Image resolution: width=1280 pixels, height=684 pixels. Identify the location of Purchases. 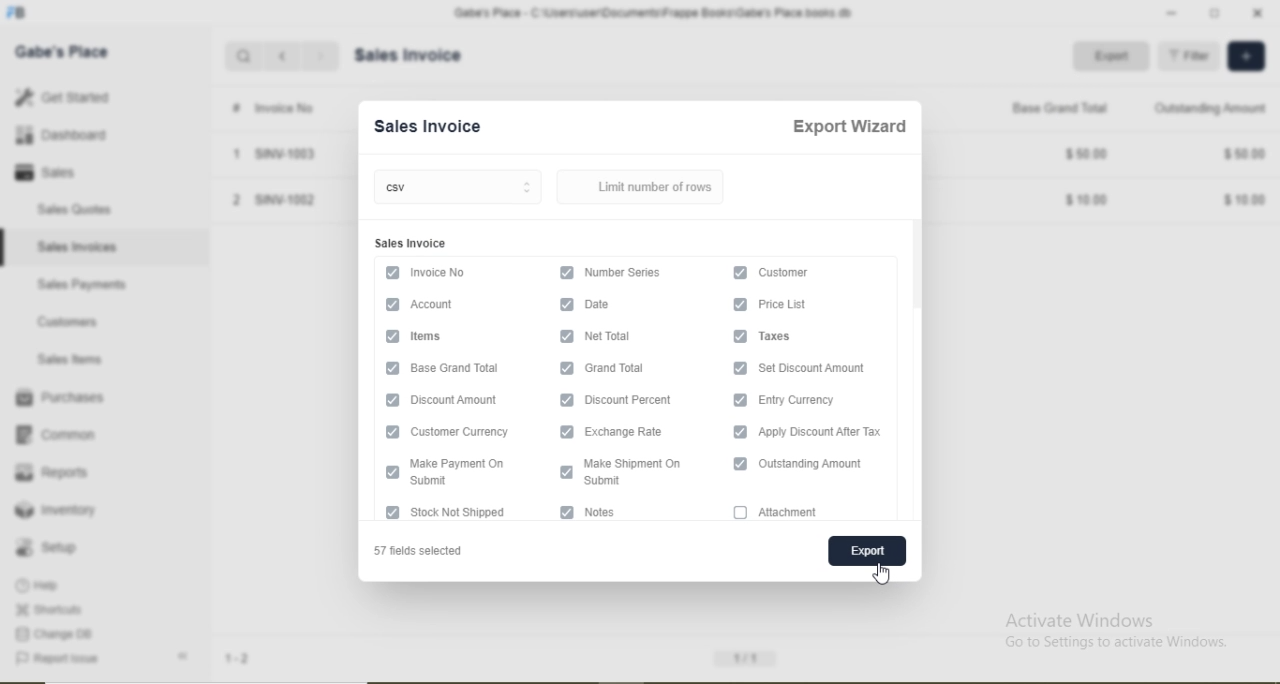
(61, 396).